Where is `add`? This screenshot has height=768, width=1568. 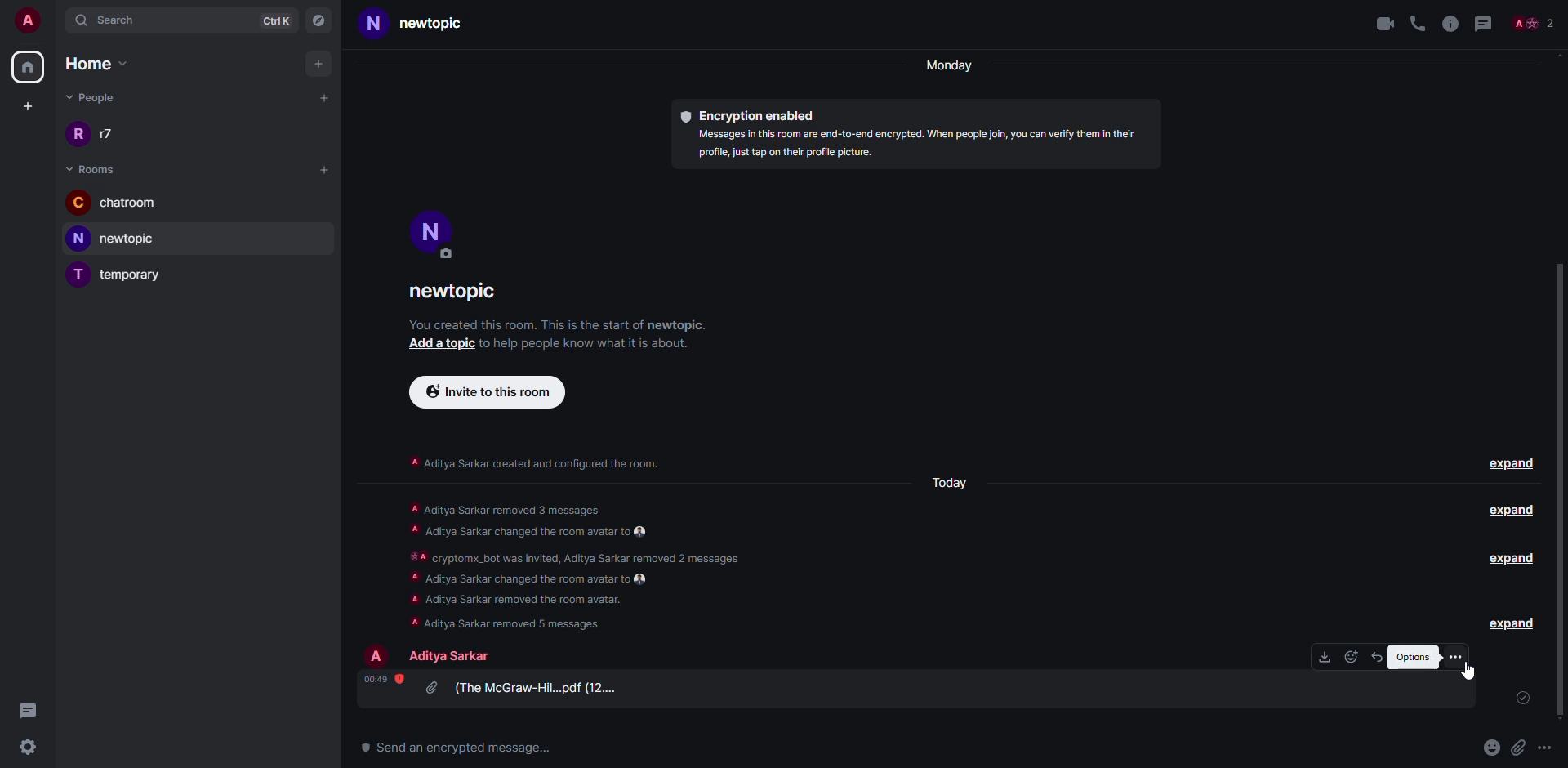
add is located at coordinates (327, 169).